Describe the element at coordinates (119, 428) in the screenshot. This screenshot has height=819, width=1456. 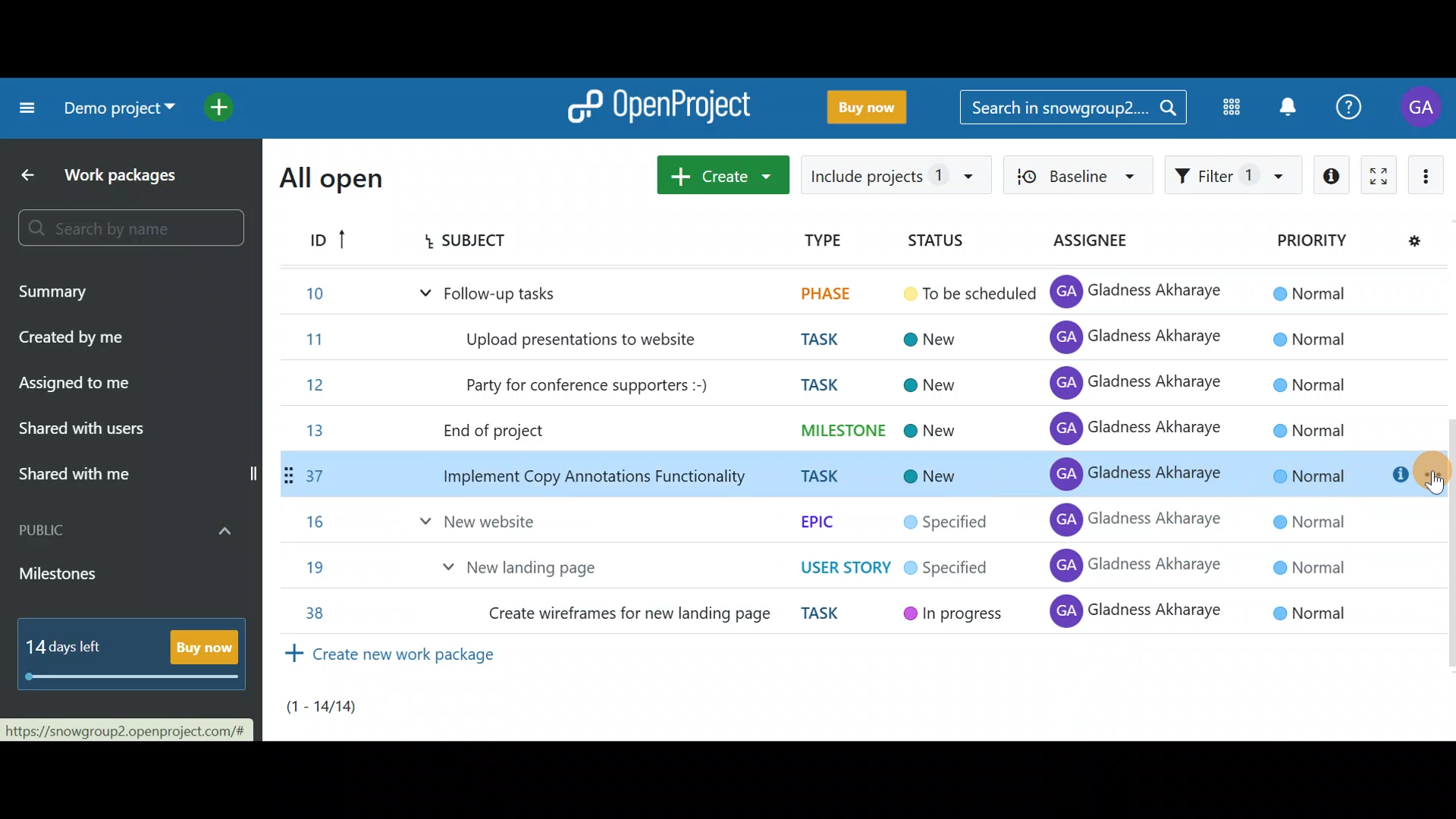
I see `Shared with users` at that location.